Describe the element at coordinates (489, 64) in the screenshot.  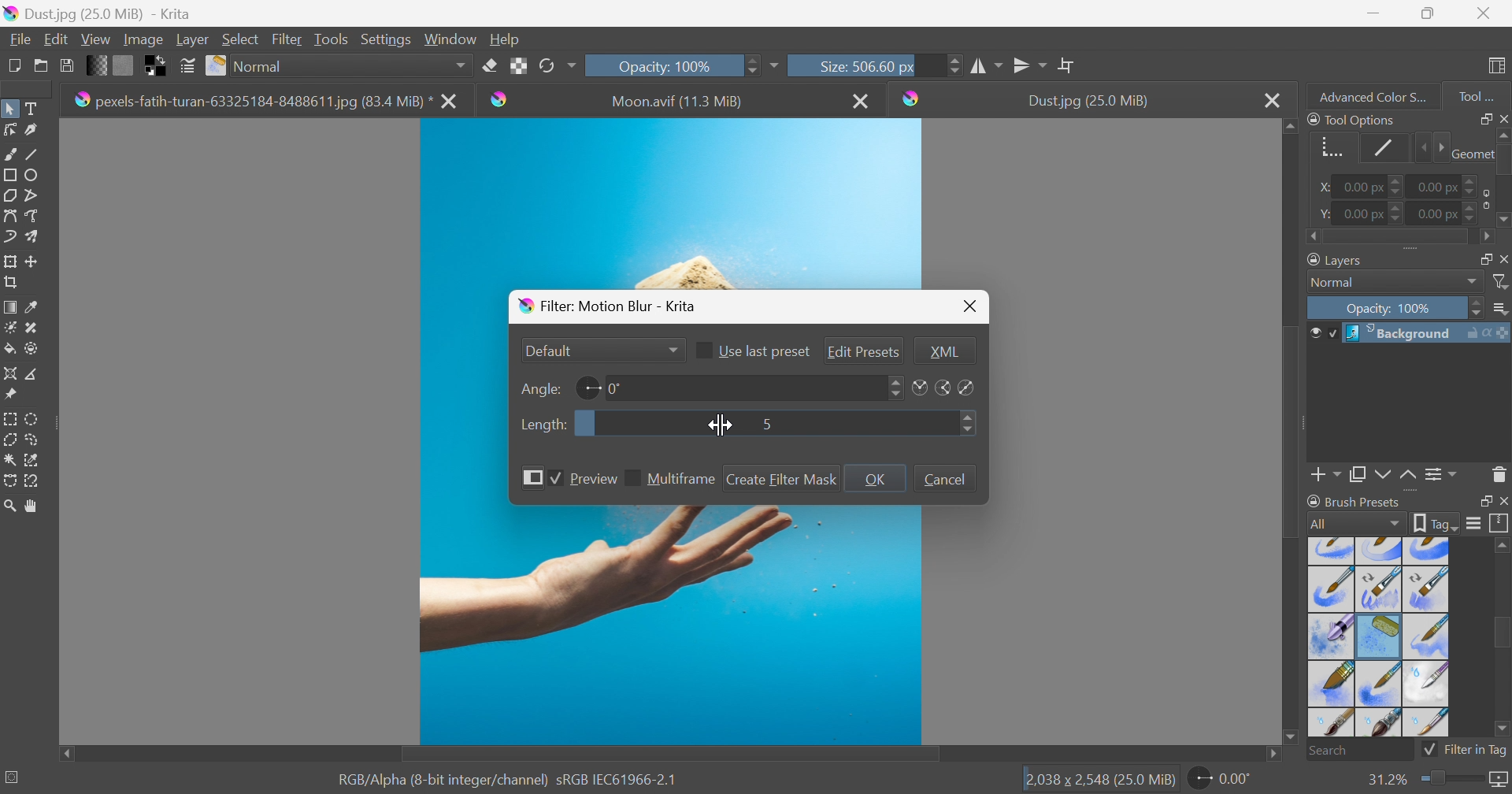
I see `Set eraser mode` at that location.